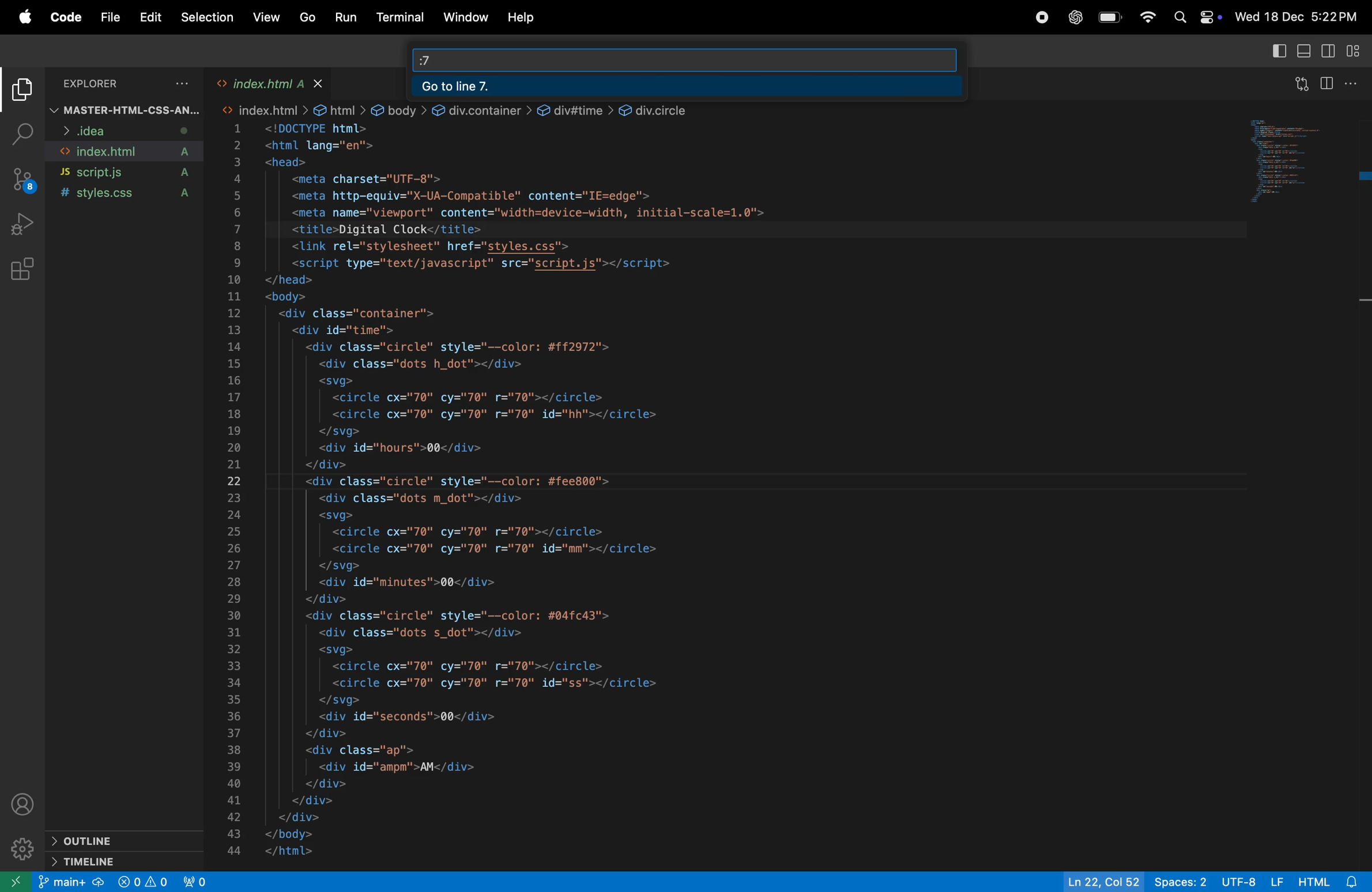 Image resolution: width=1372 pixels, height=892 pixels. I want to click on idea, so click(119, 131).